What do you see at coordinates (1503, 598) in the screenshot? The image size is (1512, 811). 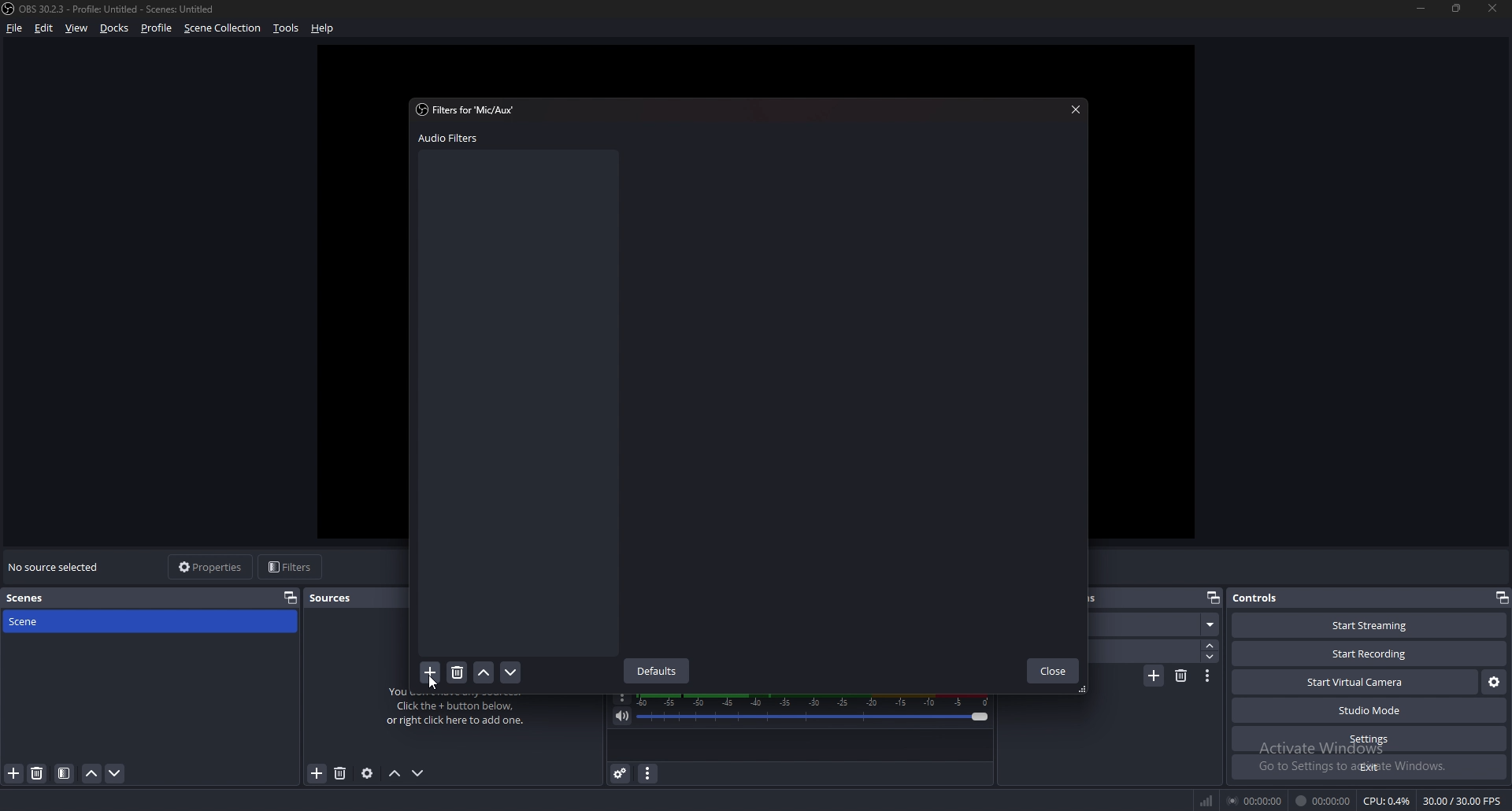 I see `pop out` at bounding box center [1503, 598].